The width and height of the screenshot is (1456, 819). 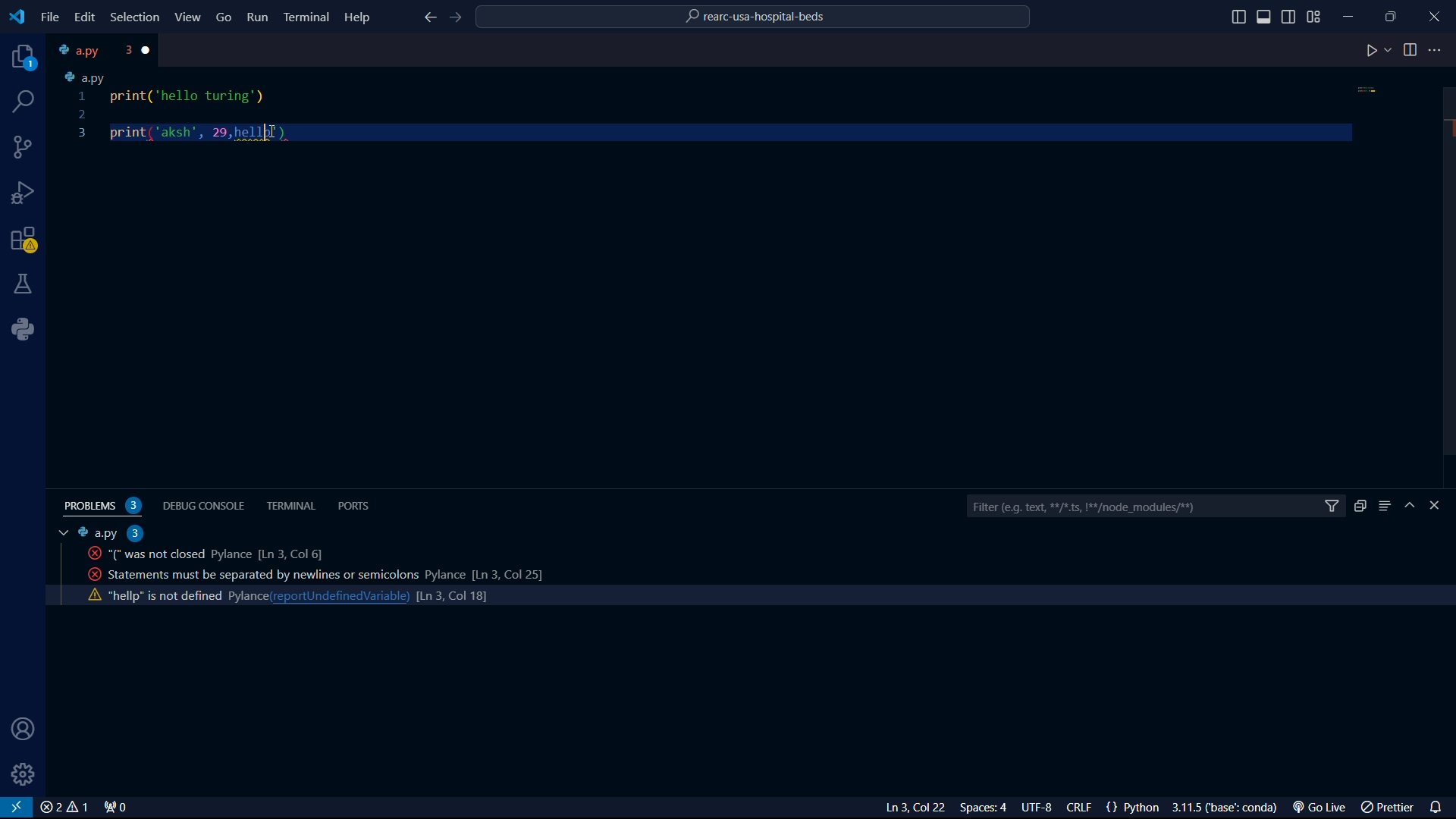 What do you see at coordinates (19, 730) in the screenshot?
I see `user` at bounding box center [19, 730].